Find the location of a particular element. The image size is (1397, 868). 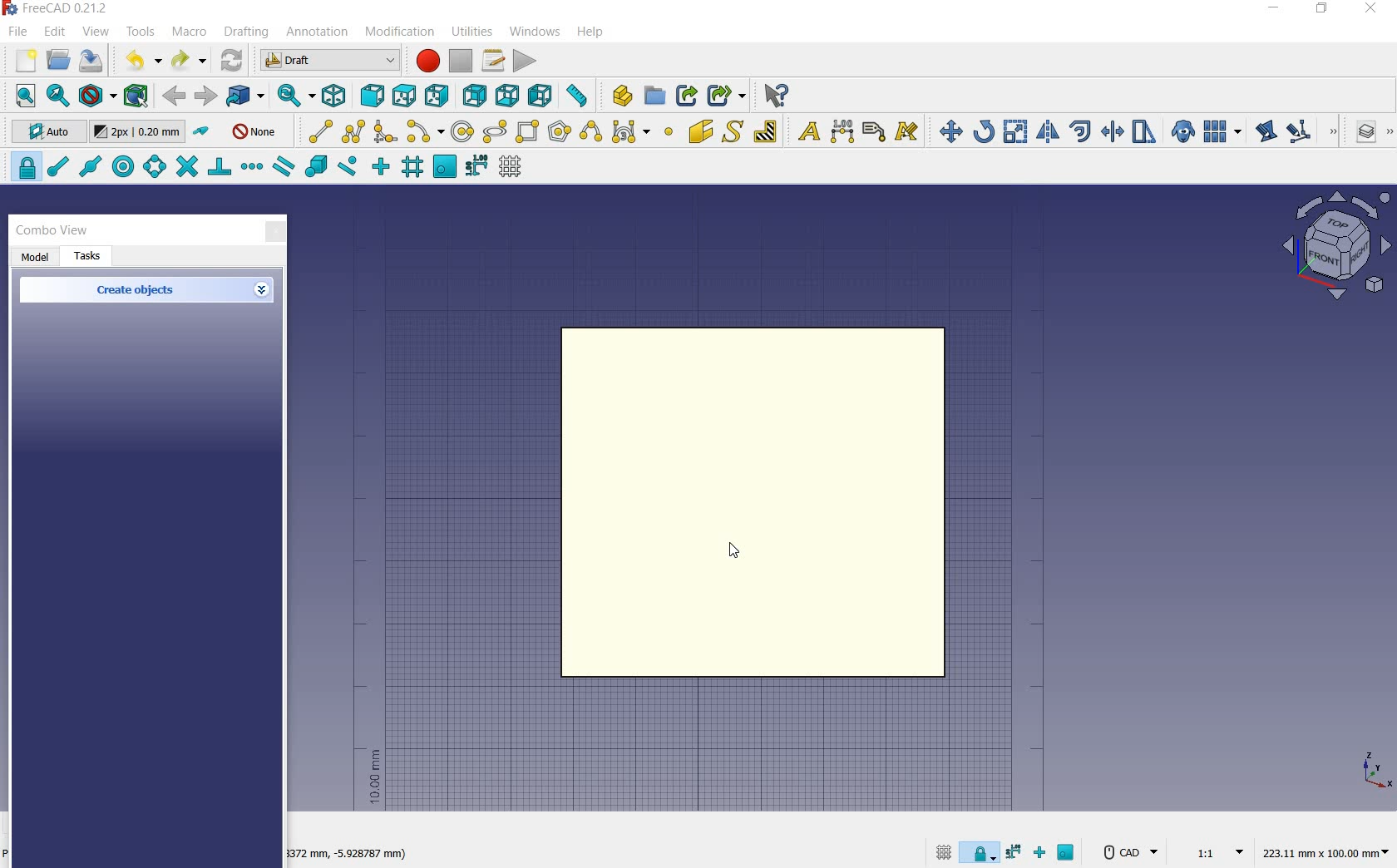

macro recording is located at coordinates (426, 61).